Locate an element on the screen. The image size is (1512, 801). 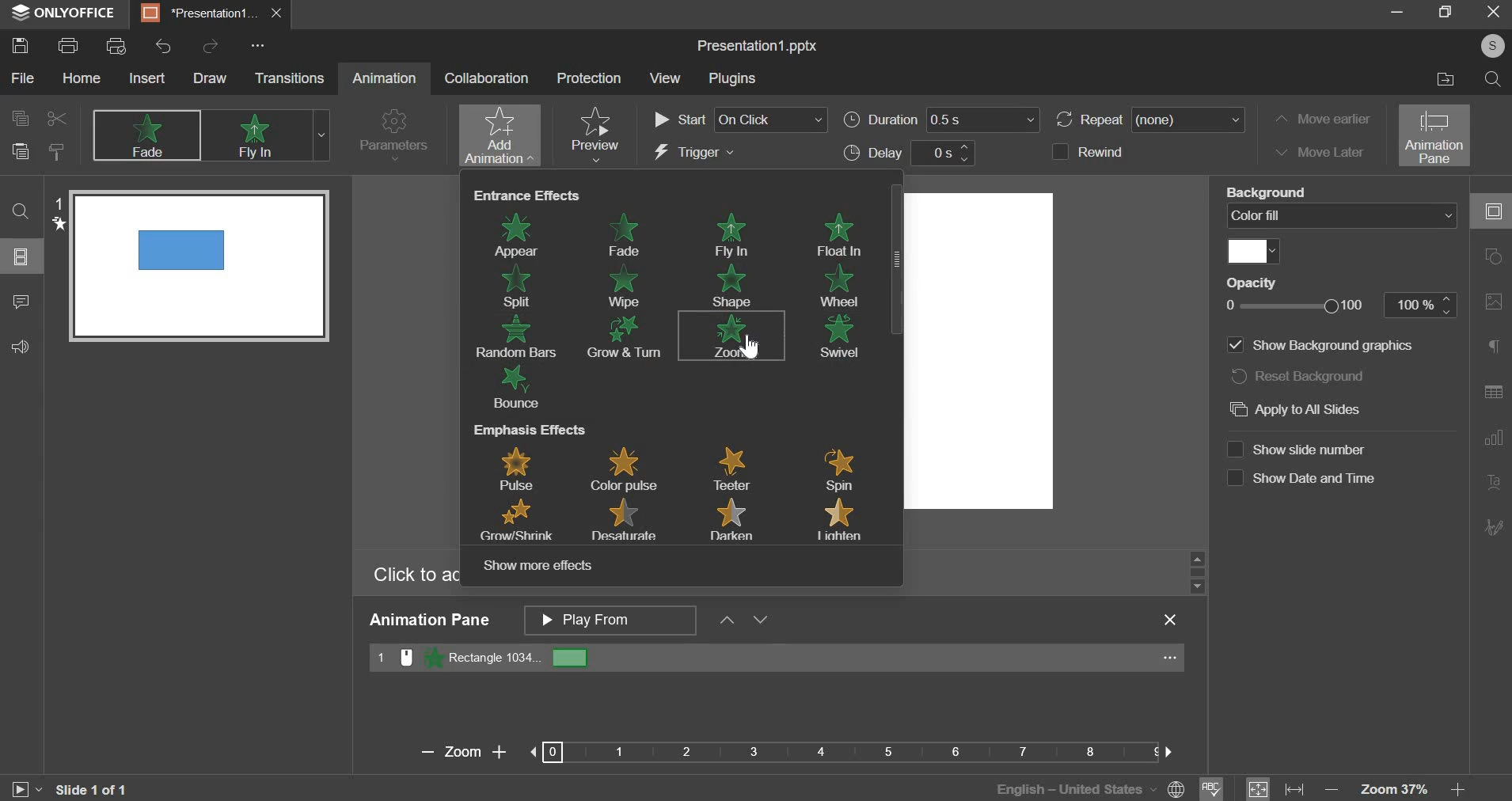
Animation Pane is located at coordinates (1492, 386).